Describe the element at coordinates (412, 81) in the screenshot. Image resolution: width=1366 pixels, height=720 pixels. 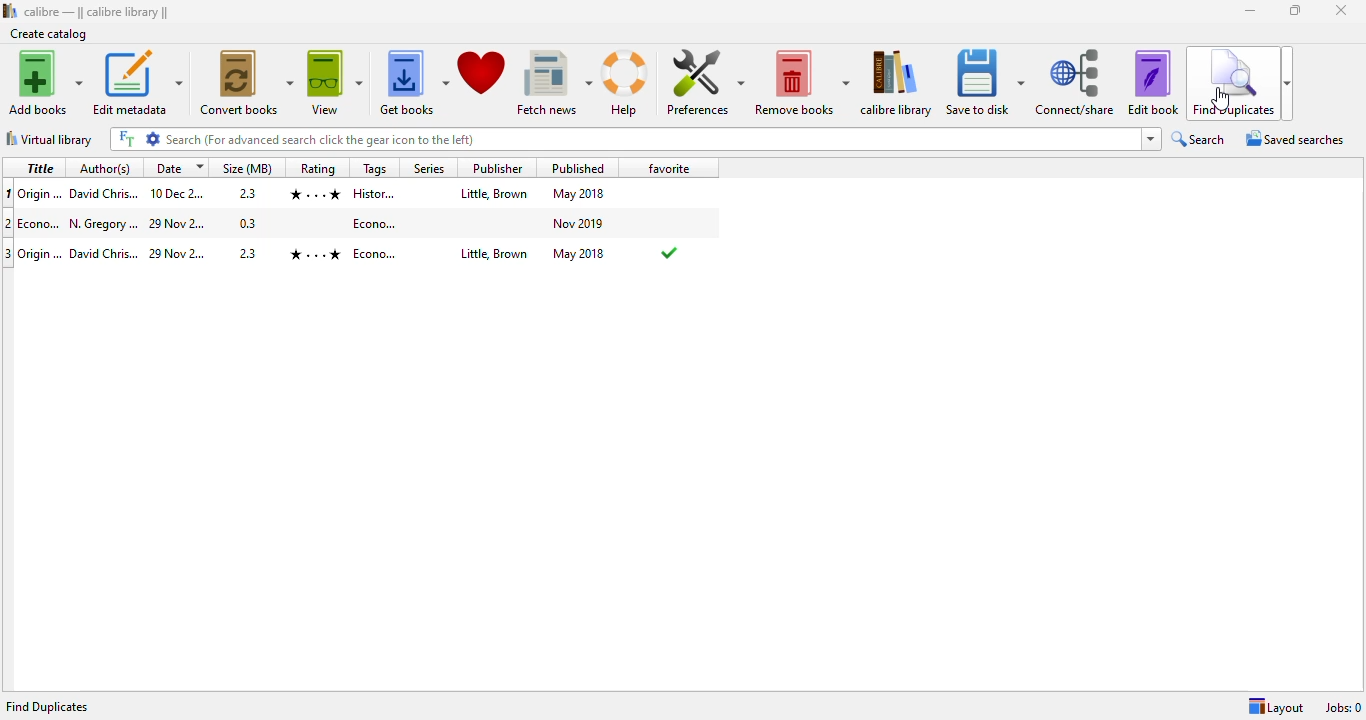
I see `get books` at that location.